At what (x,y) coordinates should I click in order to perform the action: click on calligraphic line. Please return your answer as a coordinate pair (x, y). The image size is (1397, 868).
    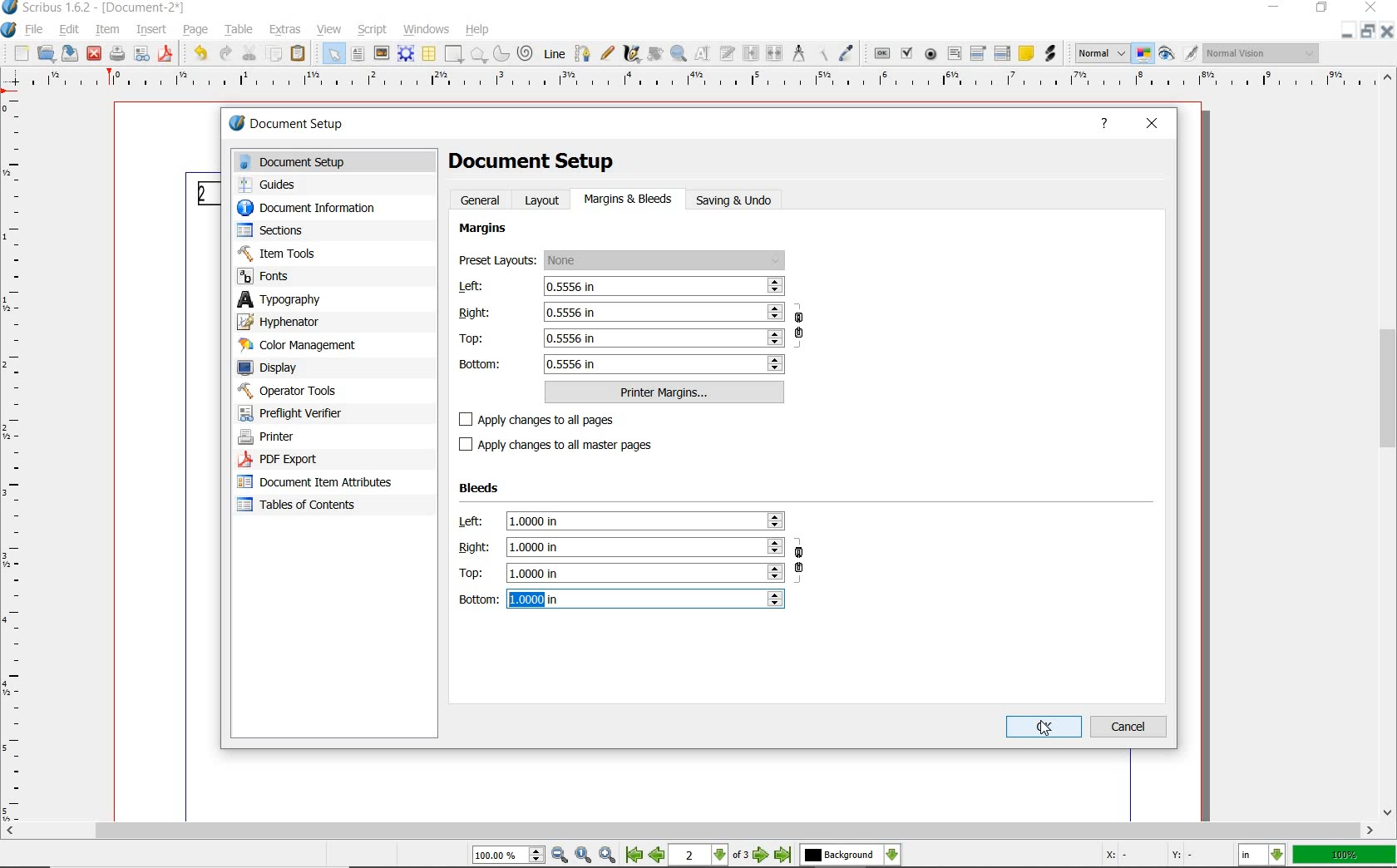
    Looking at the image, I should click on (633, 54).